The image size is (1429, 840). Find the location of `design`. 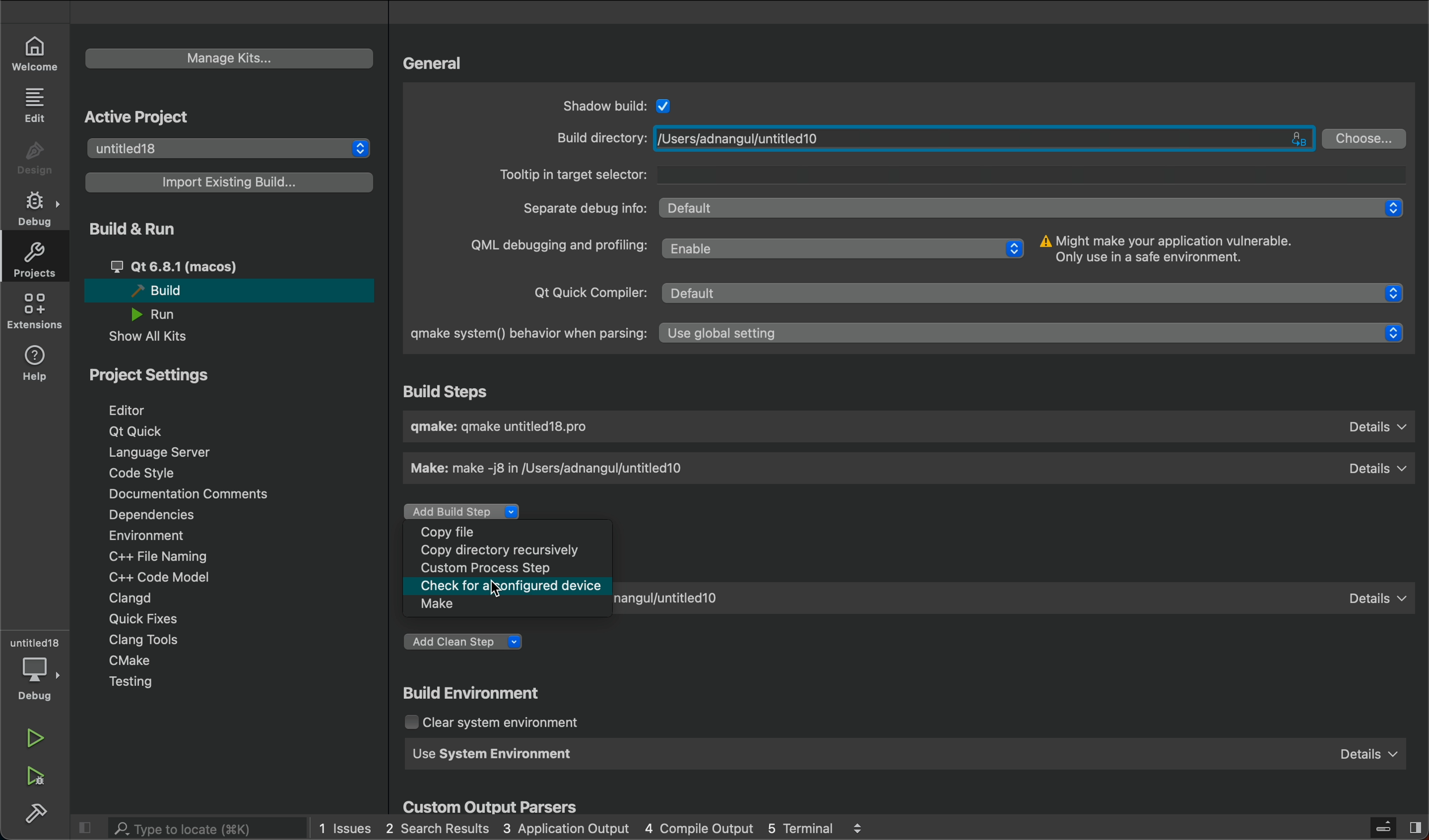

design is located at coordinates (36, 158).